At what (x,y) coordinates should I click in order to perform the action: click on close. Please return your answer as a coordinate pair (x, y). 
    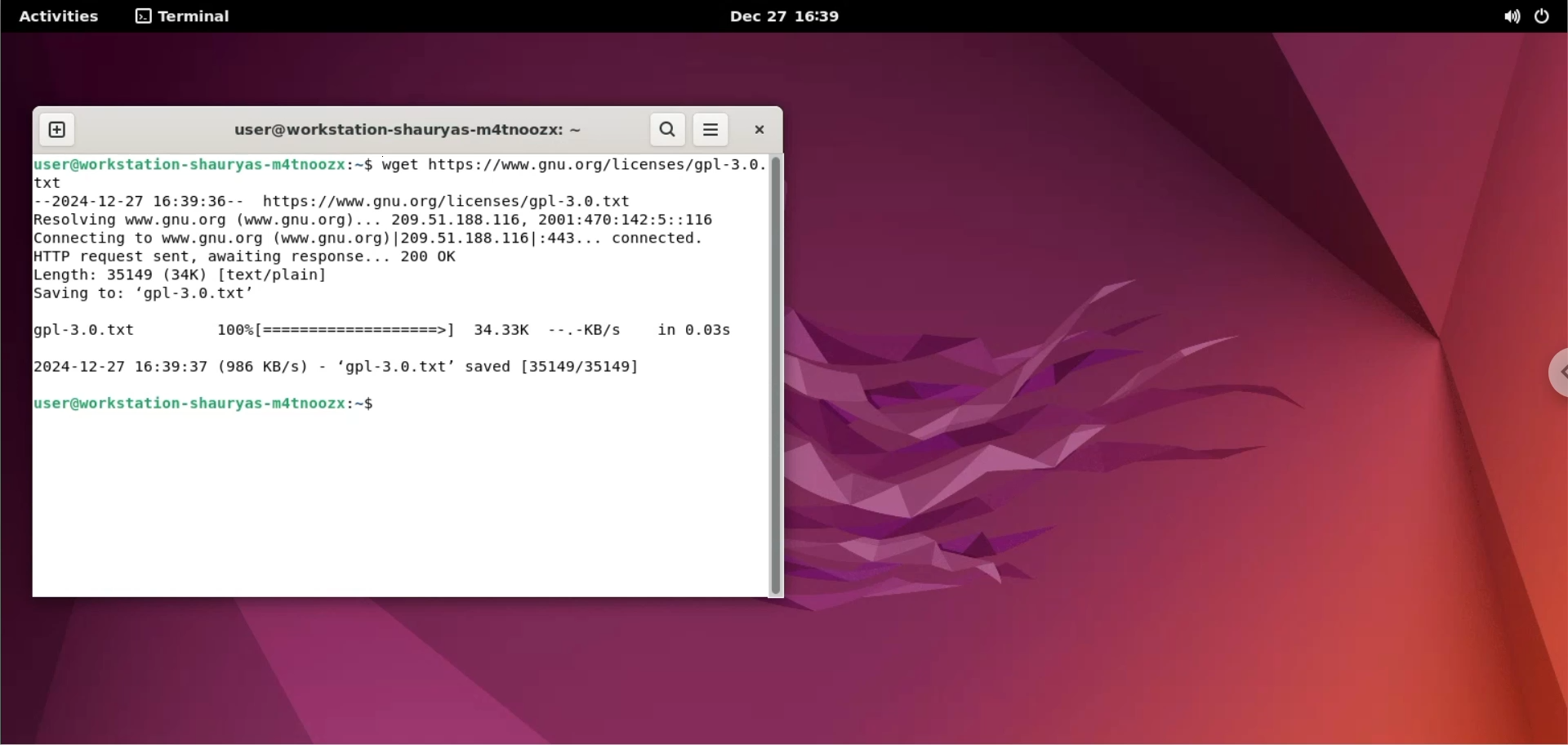
    Looking at the image, I should click on (757, 127).